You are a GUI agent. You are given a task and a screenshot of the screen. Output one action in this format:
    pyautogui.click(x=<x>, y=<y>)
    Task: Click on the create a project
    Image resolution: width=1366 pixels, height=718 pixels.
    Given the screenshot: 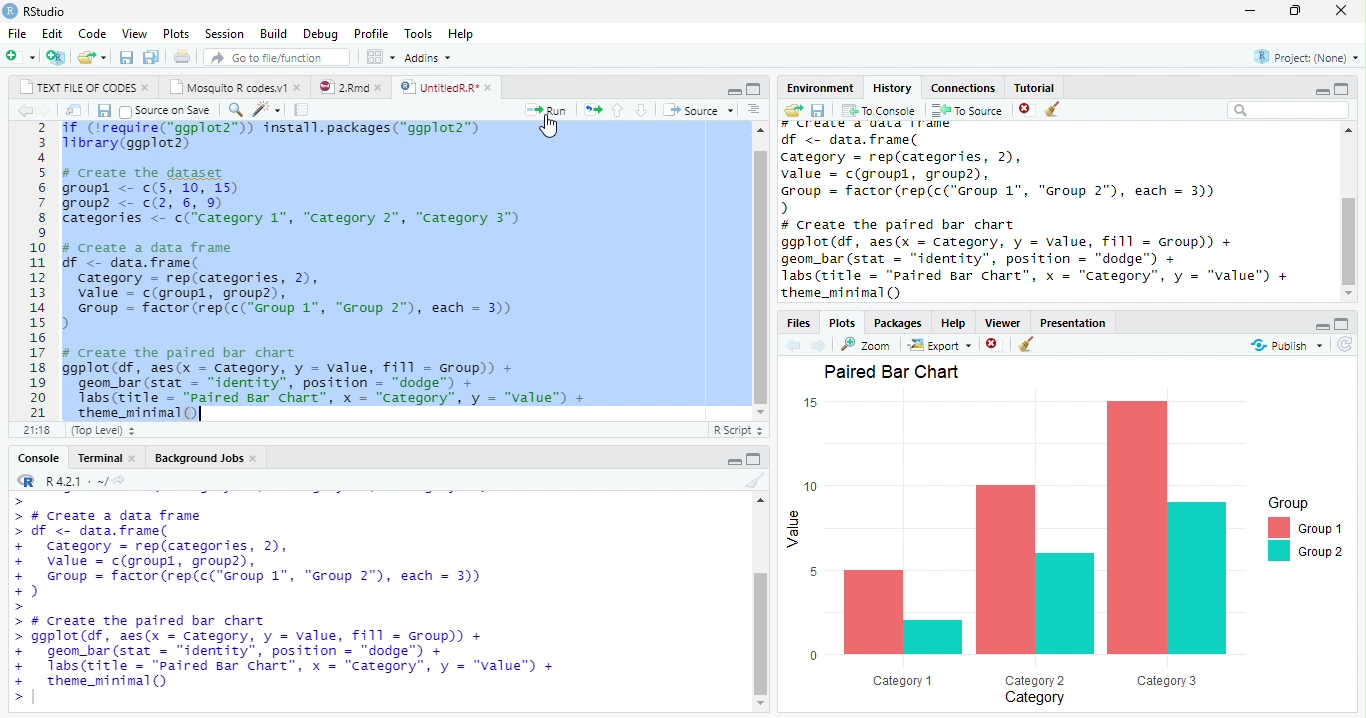 What is the action you would take?
    pyautogui.click(x=54, y=56)
    